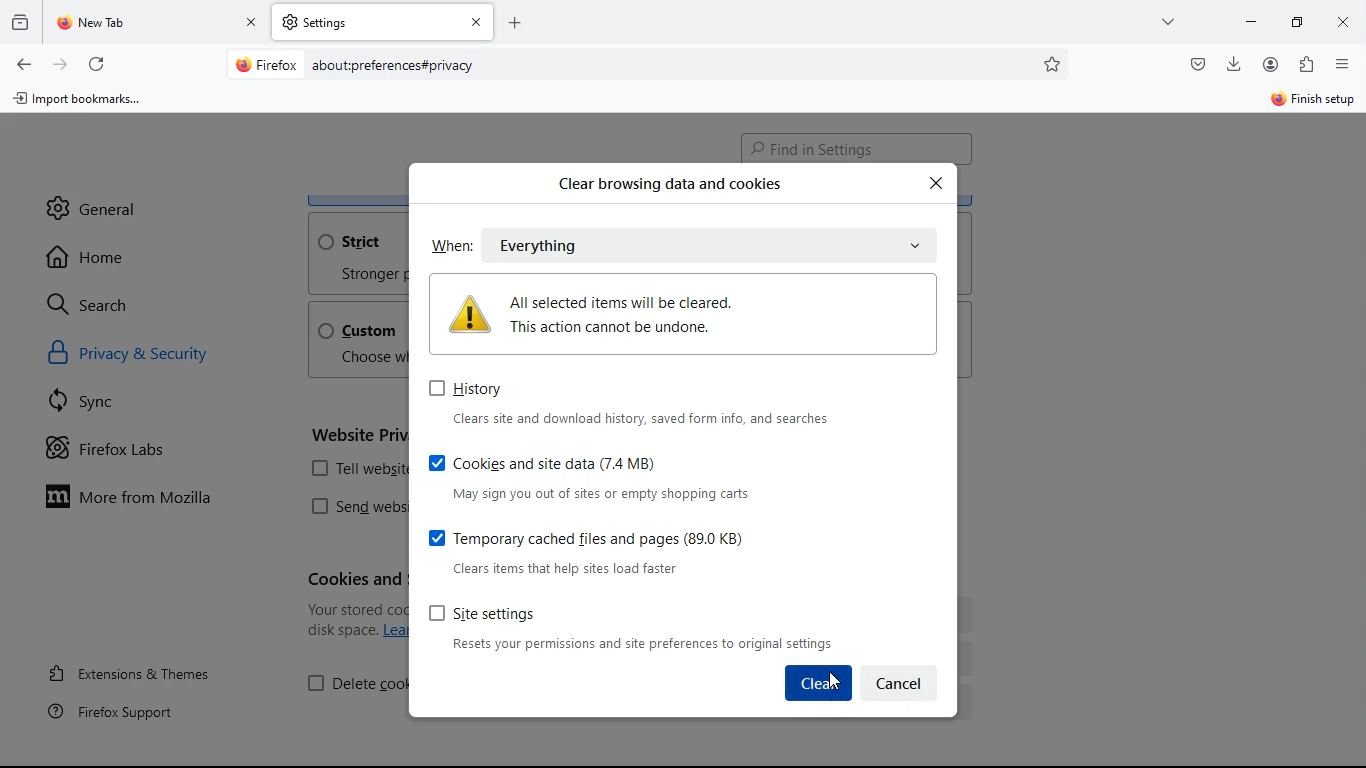  What do you see at coordinates (100, 304) in the screenshot?
I see `search` at bounding box center [100, 304].